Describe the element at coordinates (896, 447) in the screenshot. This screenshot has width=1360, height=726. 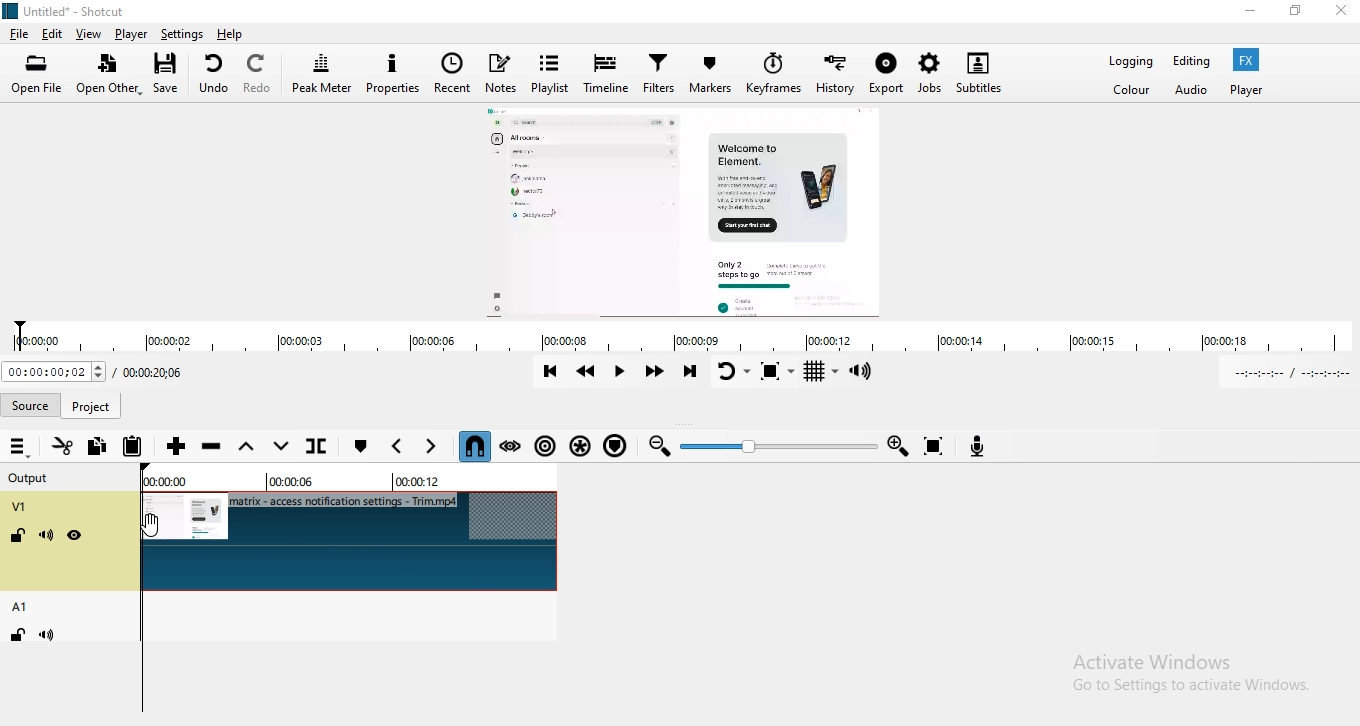
I see `` at that location.